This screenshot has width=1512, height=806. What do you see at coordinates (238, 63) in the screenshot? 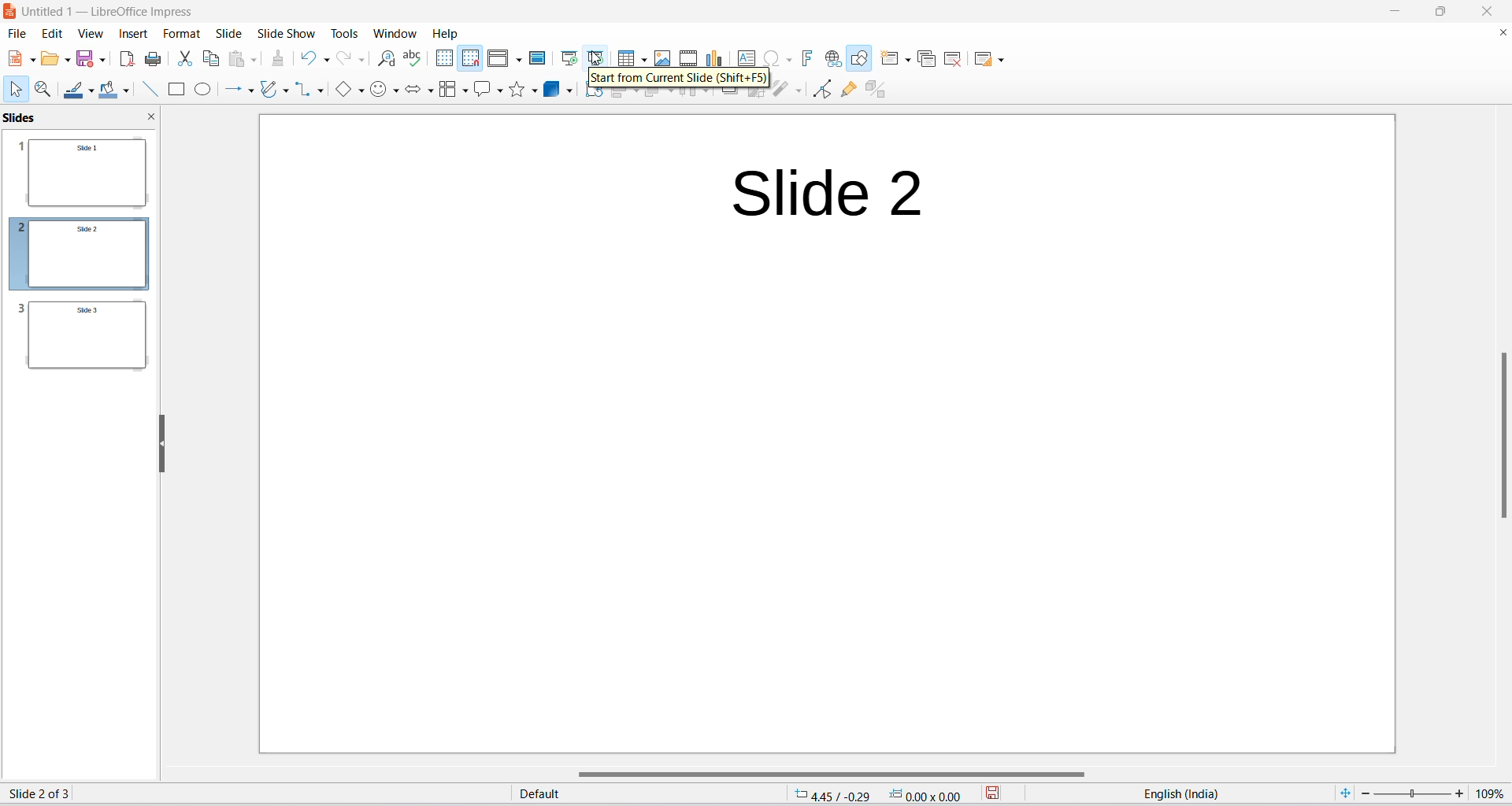
I see `paste` at bounding box center [238, 63].